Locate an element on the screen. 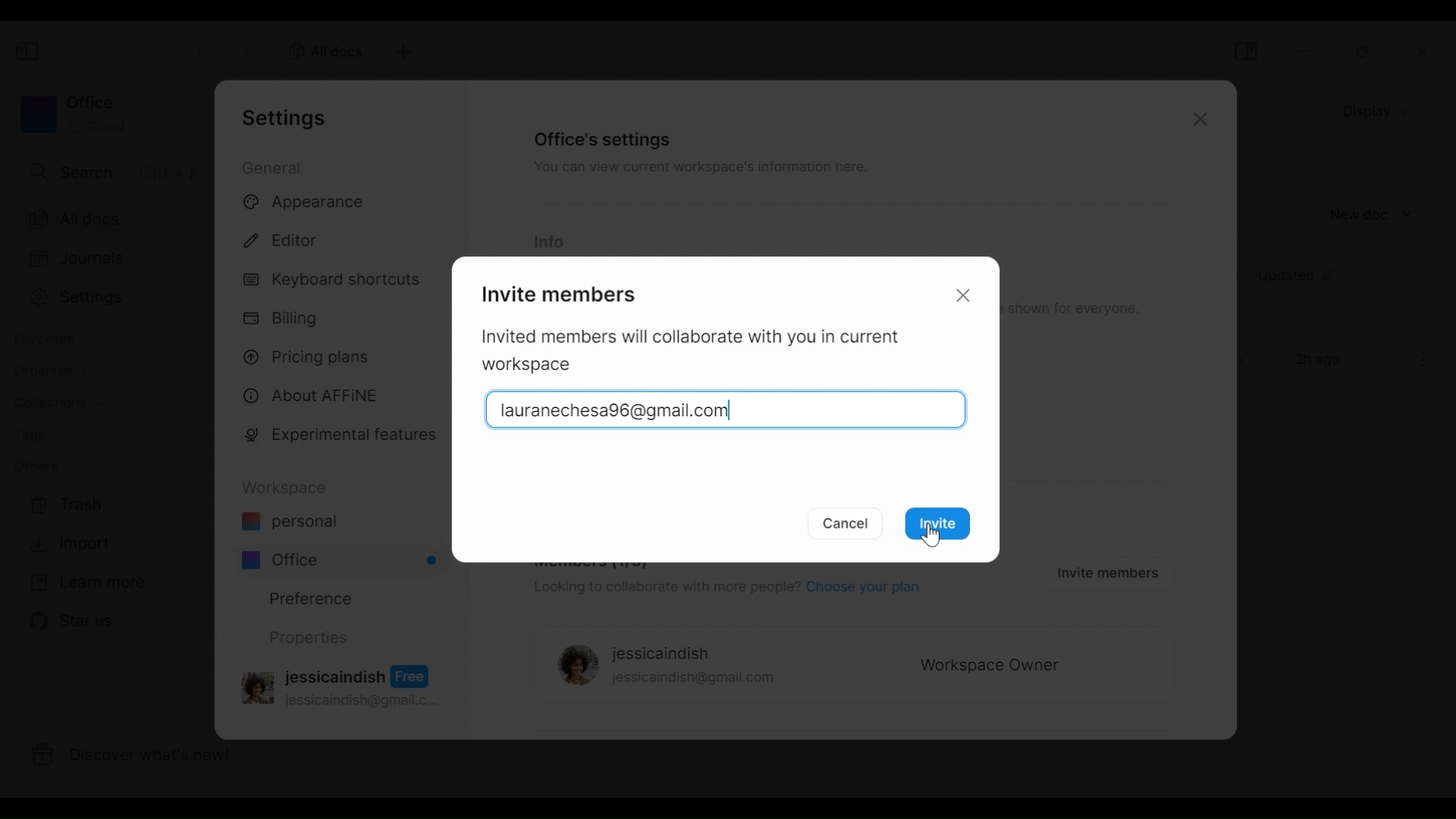 The width and height of the screenshot is (1456, 819). Preference is located at coordinates (305, 598).